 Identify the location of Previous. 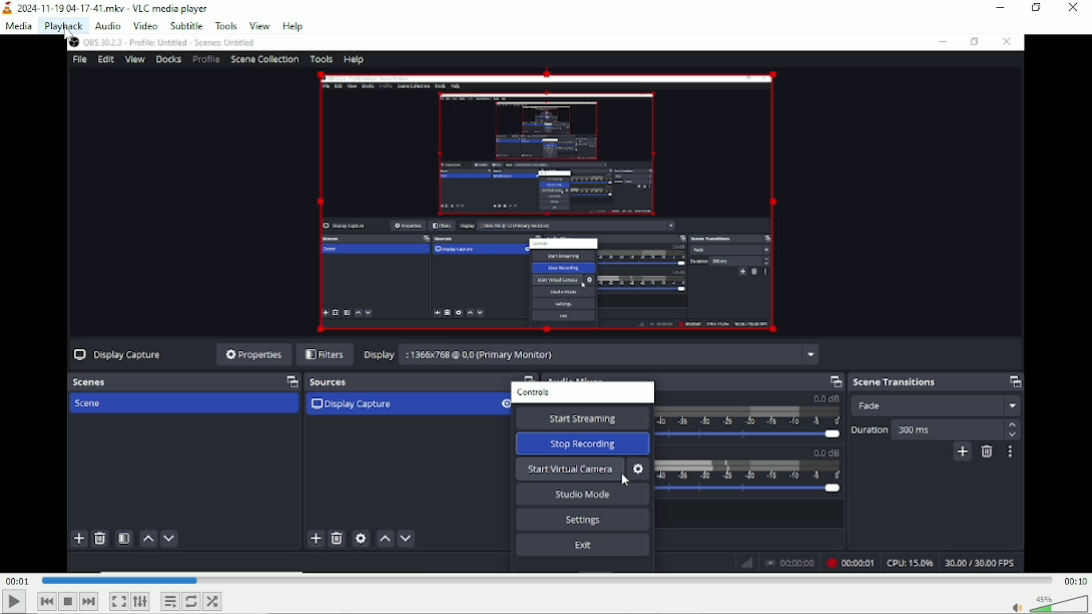
(46, 602).